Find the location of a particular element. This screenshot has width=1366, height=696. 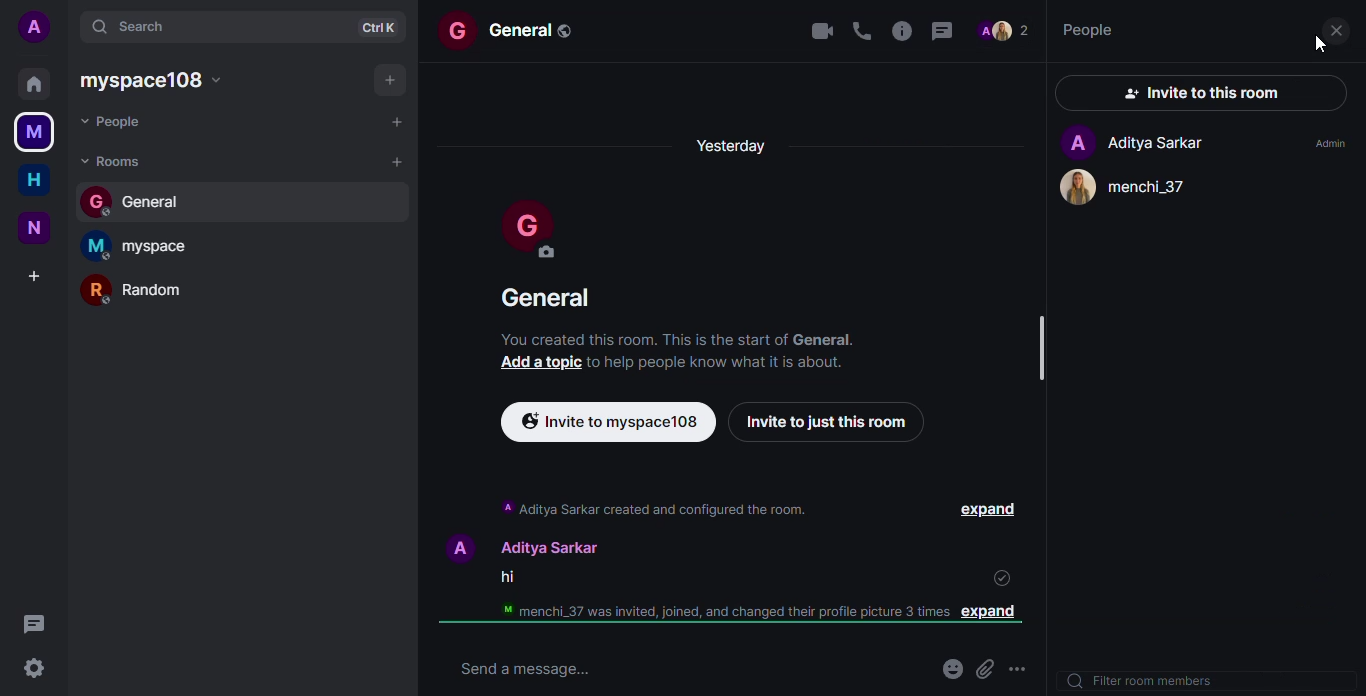

new is located at coordinates (34, 228).